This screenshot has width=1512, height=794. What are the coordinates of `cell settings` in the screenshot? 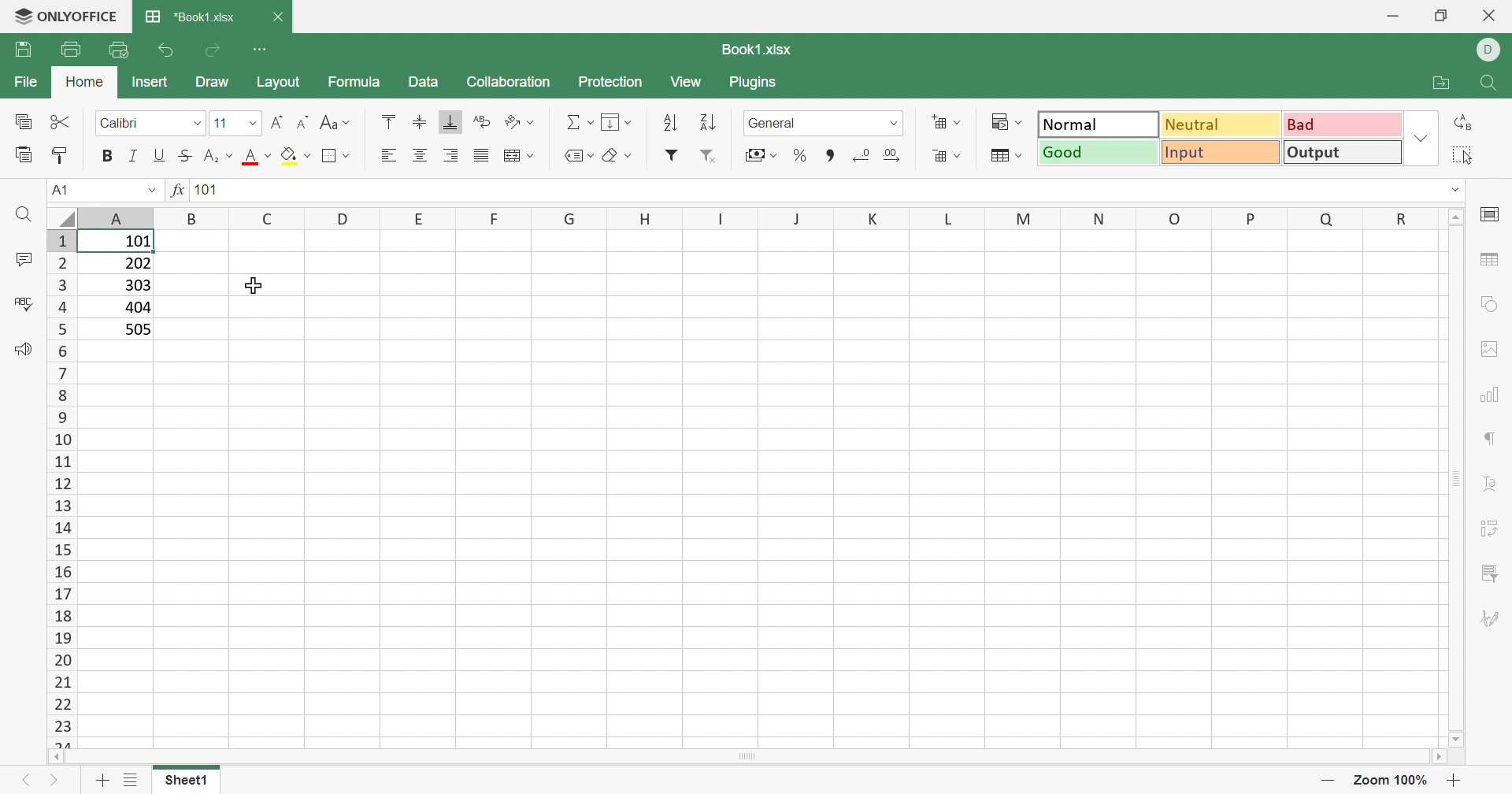 It's located at (1491, 214).